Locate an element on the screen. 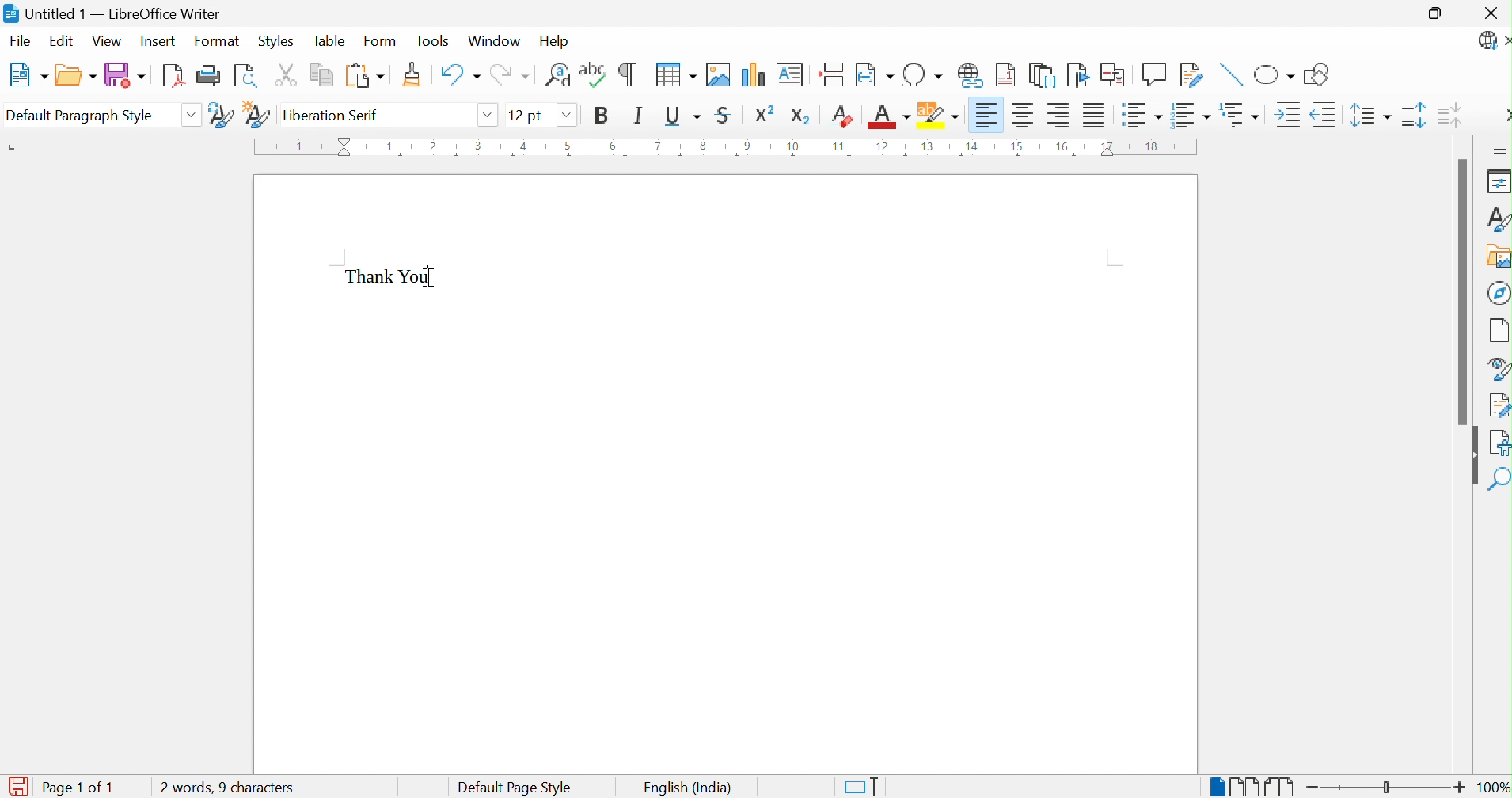 The image size is (1512, 798). Export as PDF is located at coordinates (173, 76).